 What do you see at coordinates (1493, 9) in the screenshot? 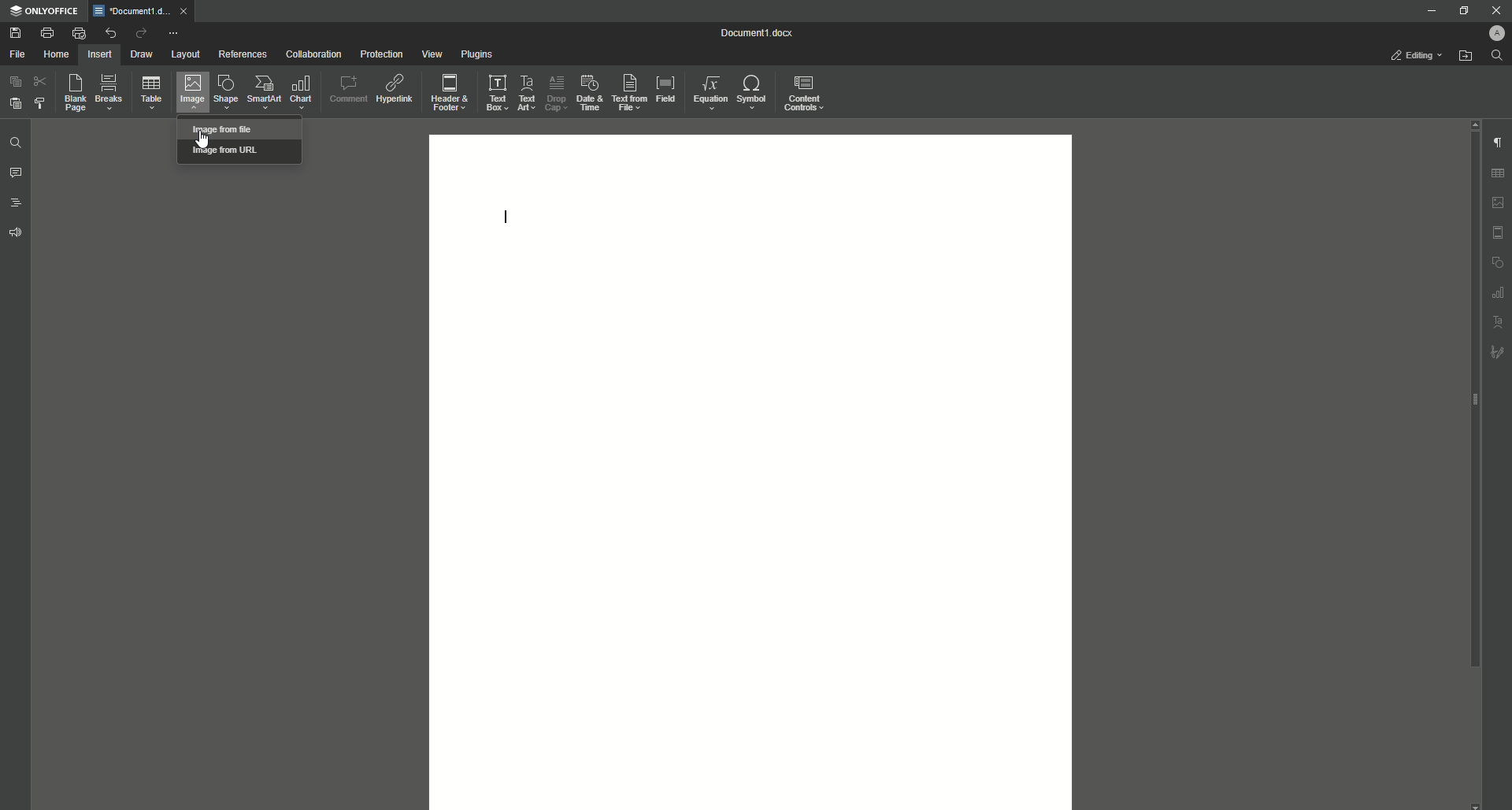
I see `Close` at bounding box center [1493, 9].